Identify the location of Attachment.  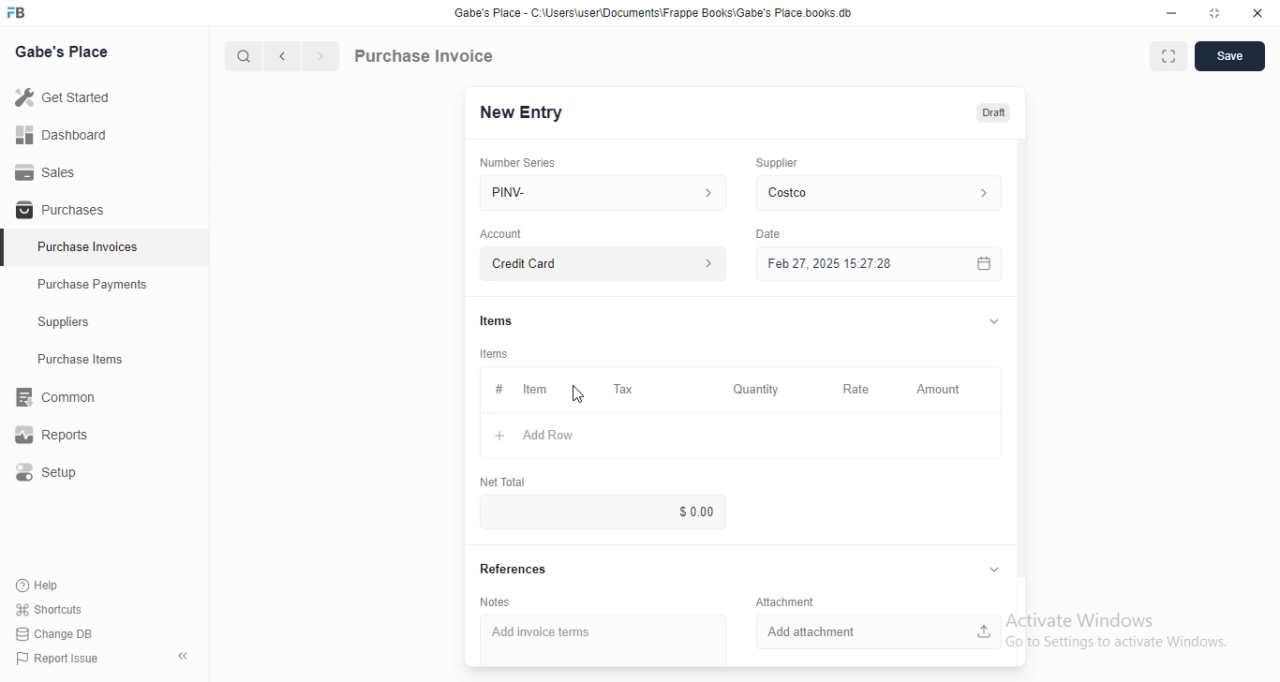
(785, 601).